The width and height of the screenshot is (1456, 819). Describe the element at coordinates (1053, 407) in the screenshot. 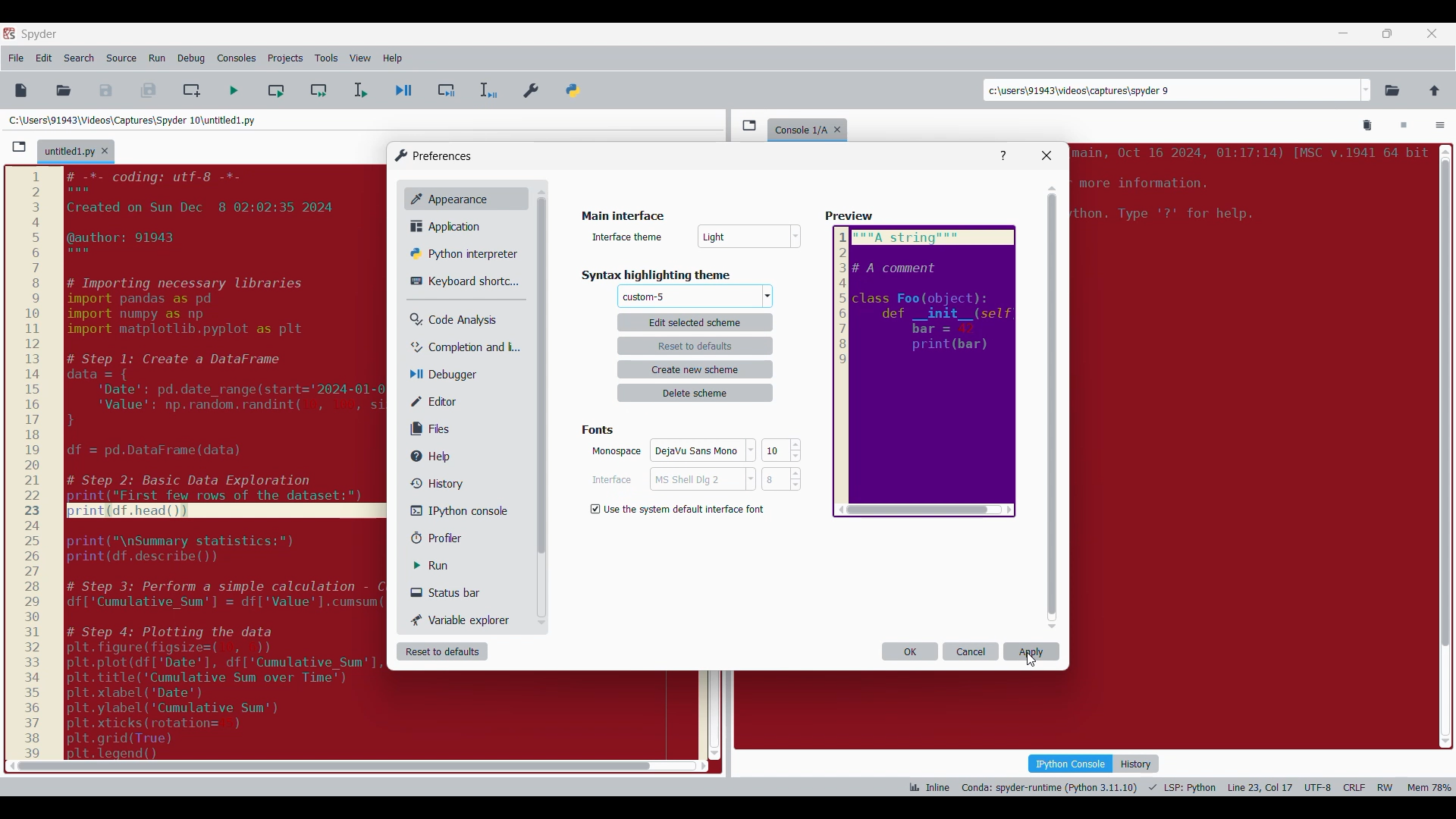

I see `Vertical slide bar` at that location.